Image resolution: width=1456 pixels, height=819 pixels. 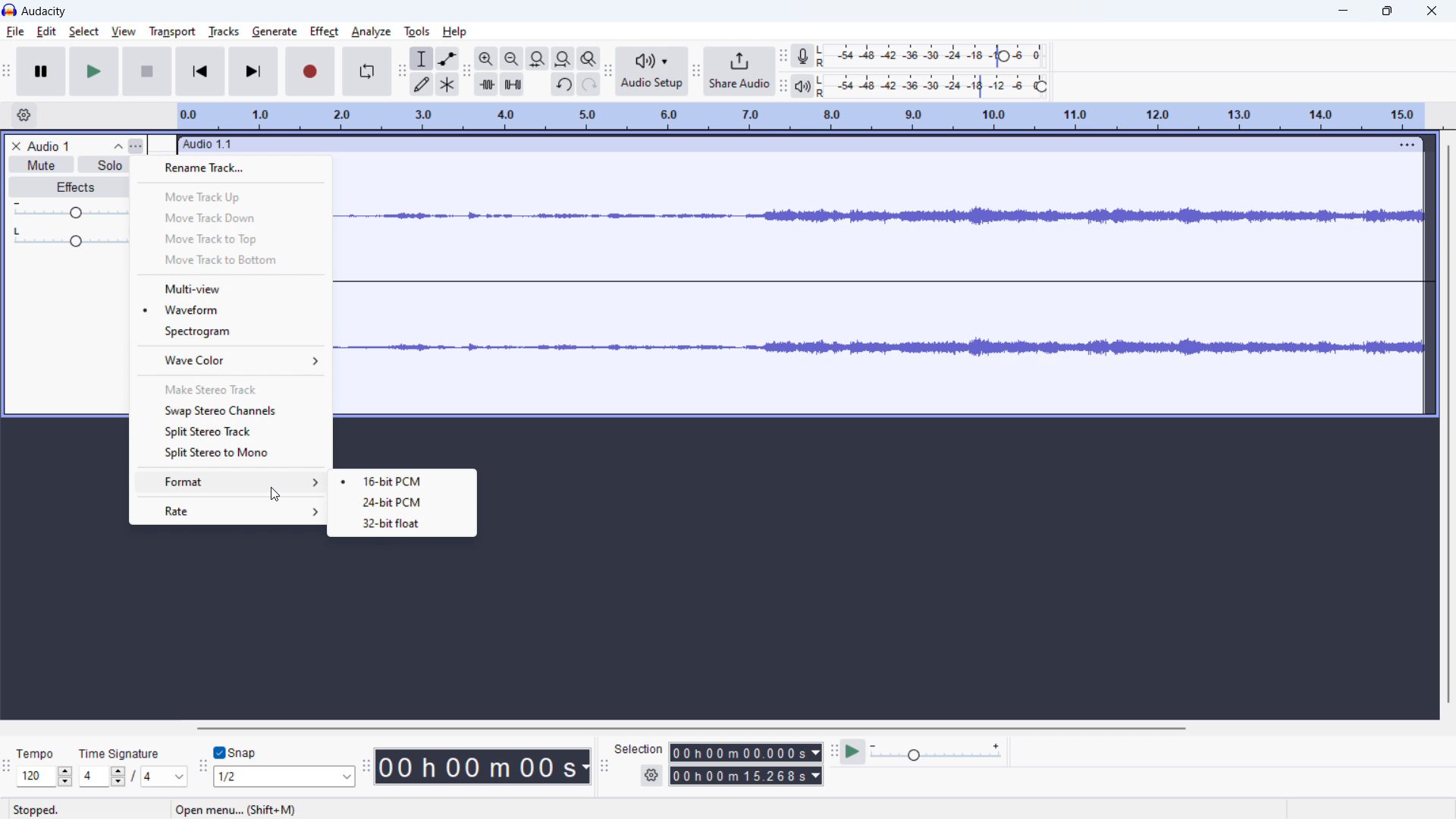 I want to click on set time signature, so click(x=133, y=777).